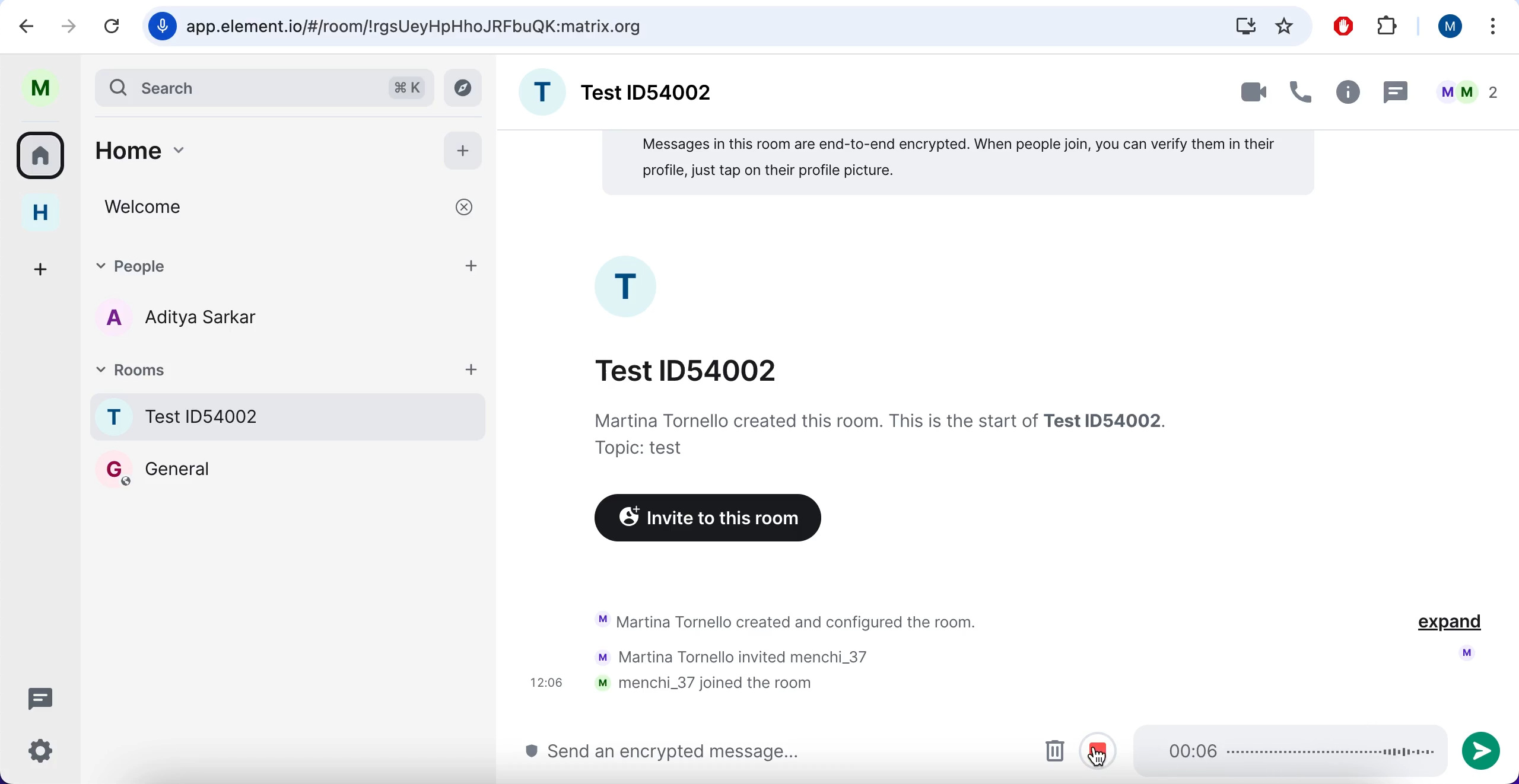 This screenshot has width=1519, height=784. What do you see at coordinates (40, 214) in the screenshot?
I see `home` at bounding box center [40, 214].